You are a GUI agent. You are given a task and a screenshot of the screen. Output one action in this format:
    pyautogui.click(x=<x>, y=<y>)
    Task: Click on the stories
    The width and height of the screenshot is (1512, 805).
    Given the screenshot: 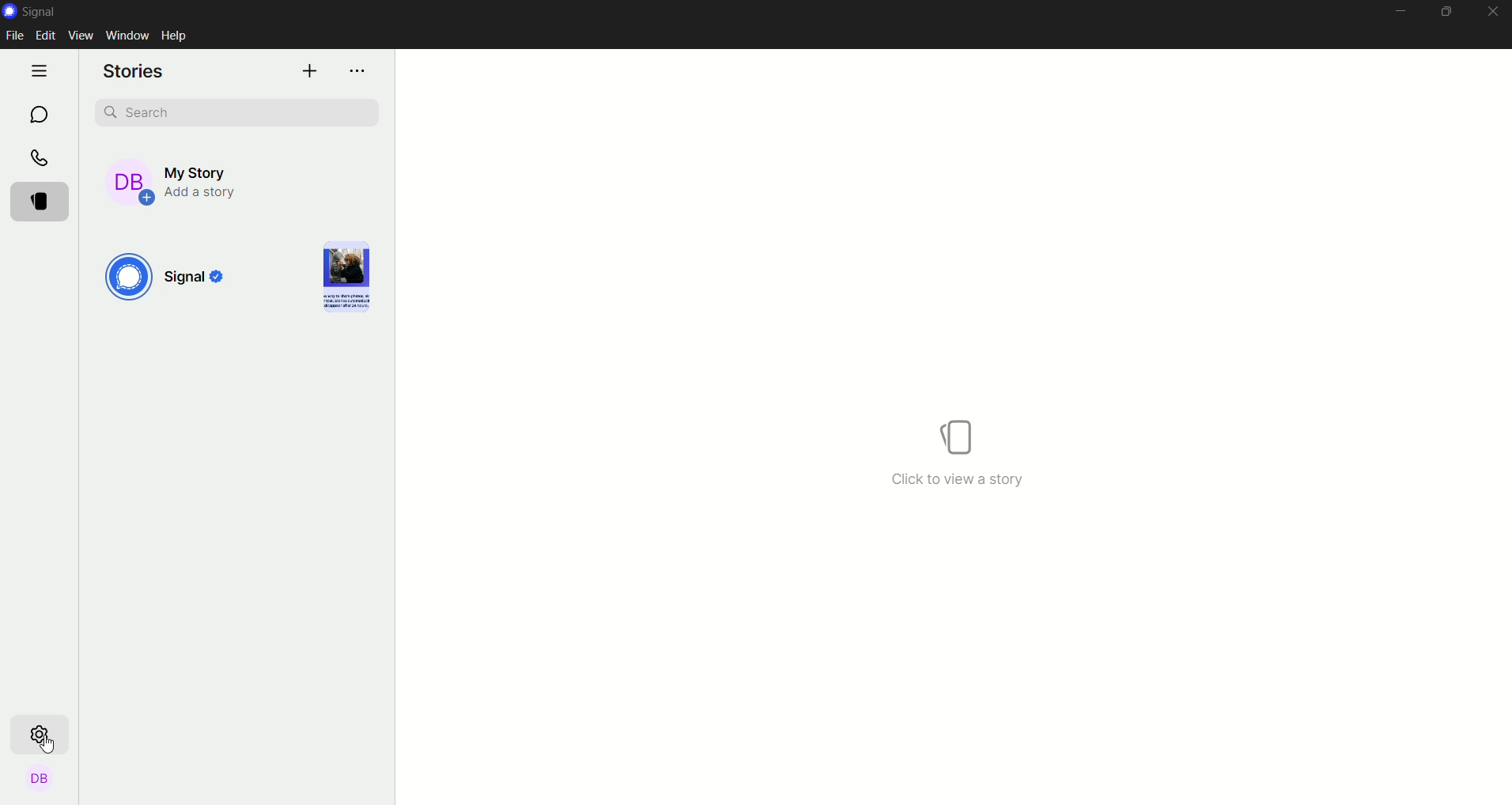 What is the action you would take?
    pyautogui.click(x=44, y=201)
    